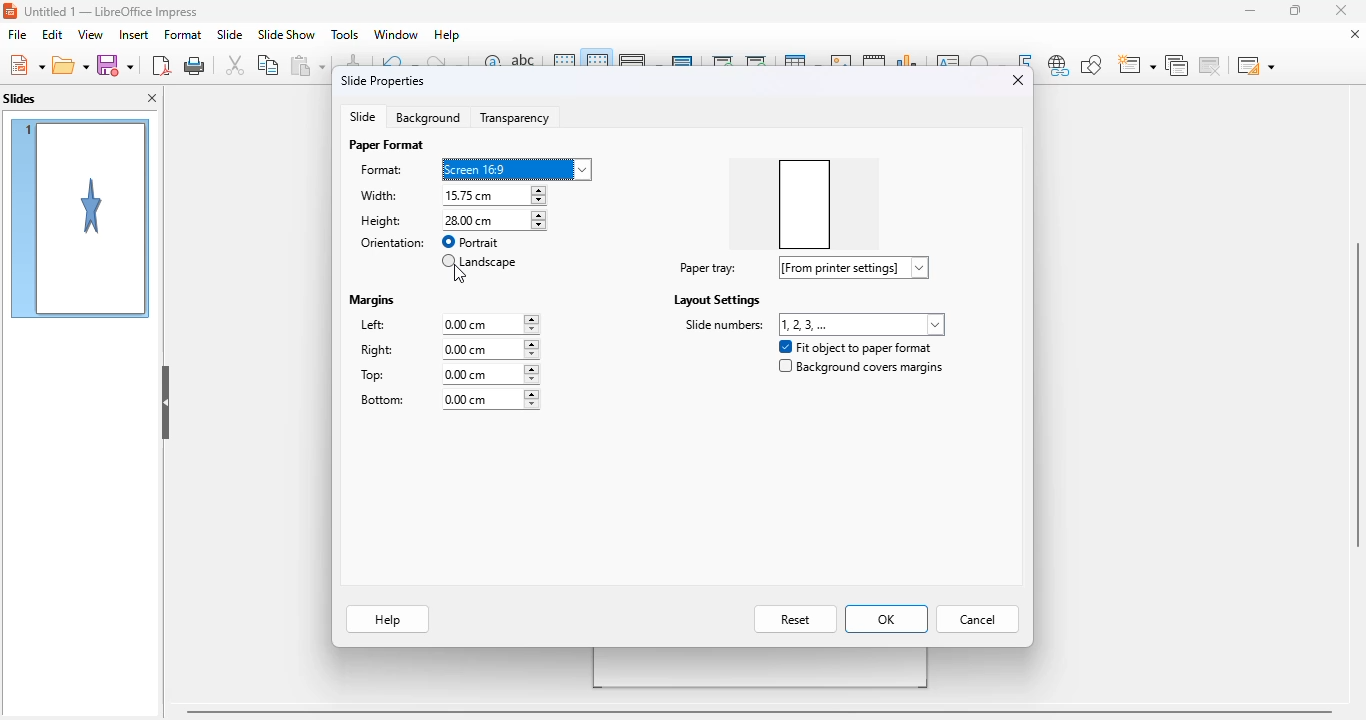 The image size is (1366, 720). I want to click on background, so click(427, 117).